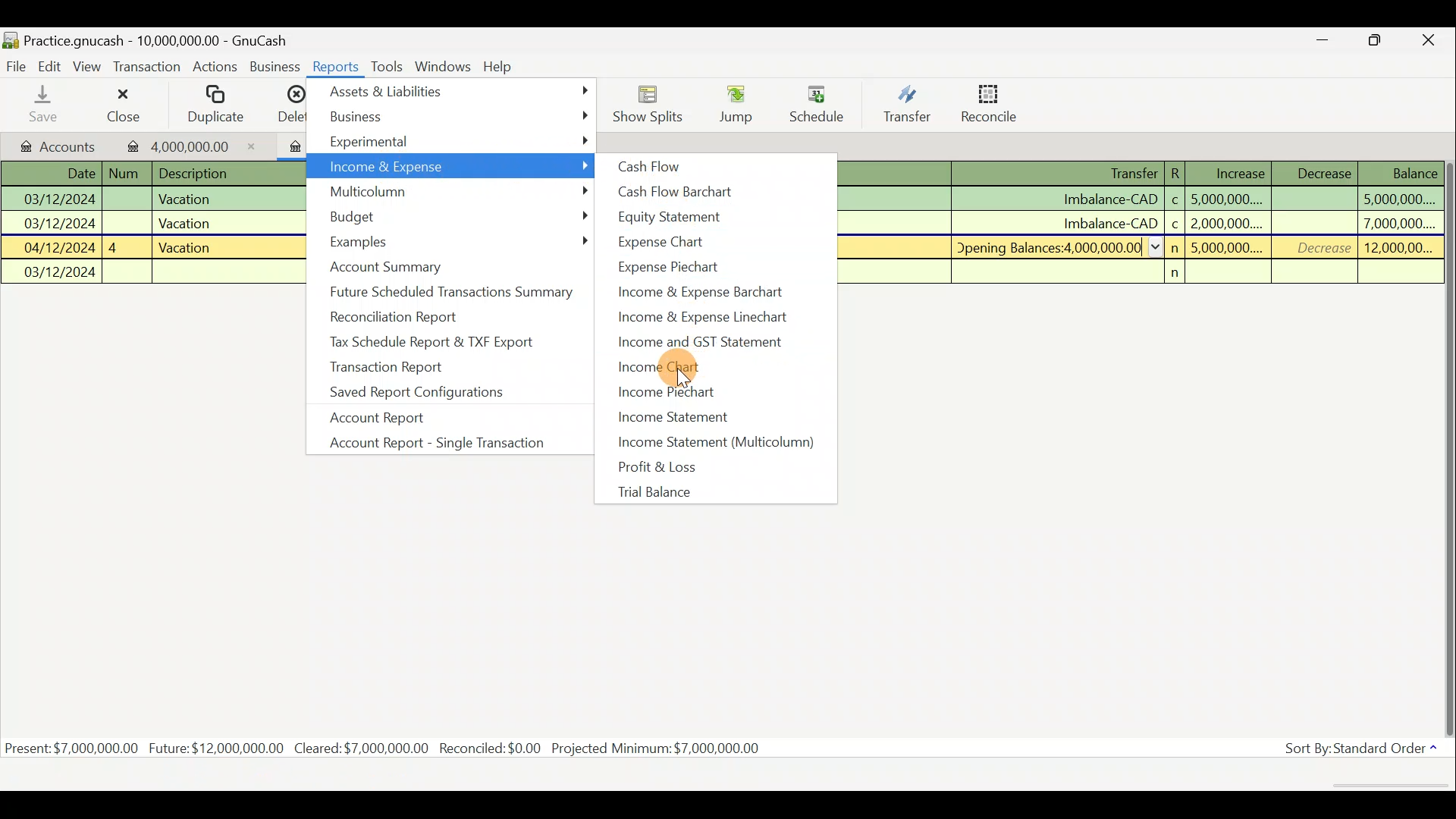 The width and height of the screenshot is (1456, 819). I want to click on Show Splits, so click(649, 103).